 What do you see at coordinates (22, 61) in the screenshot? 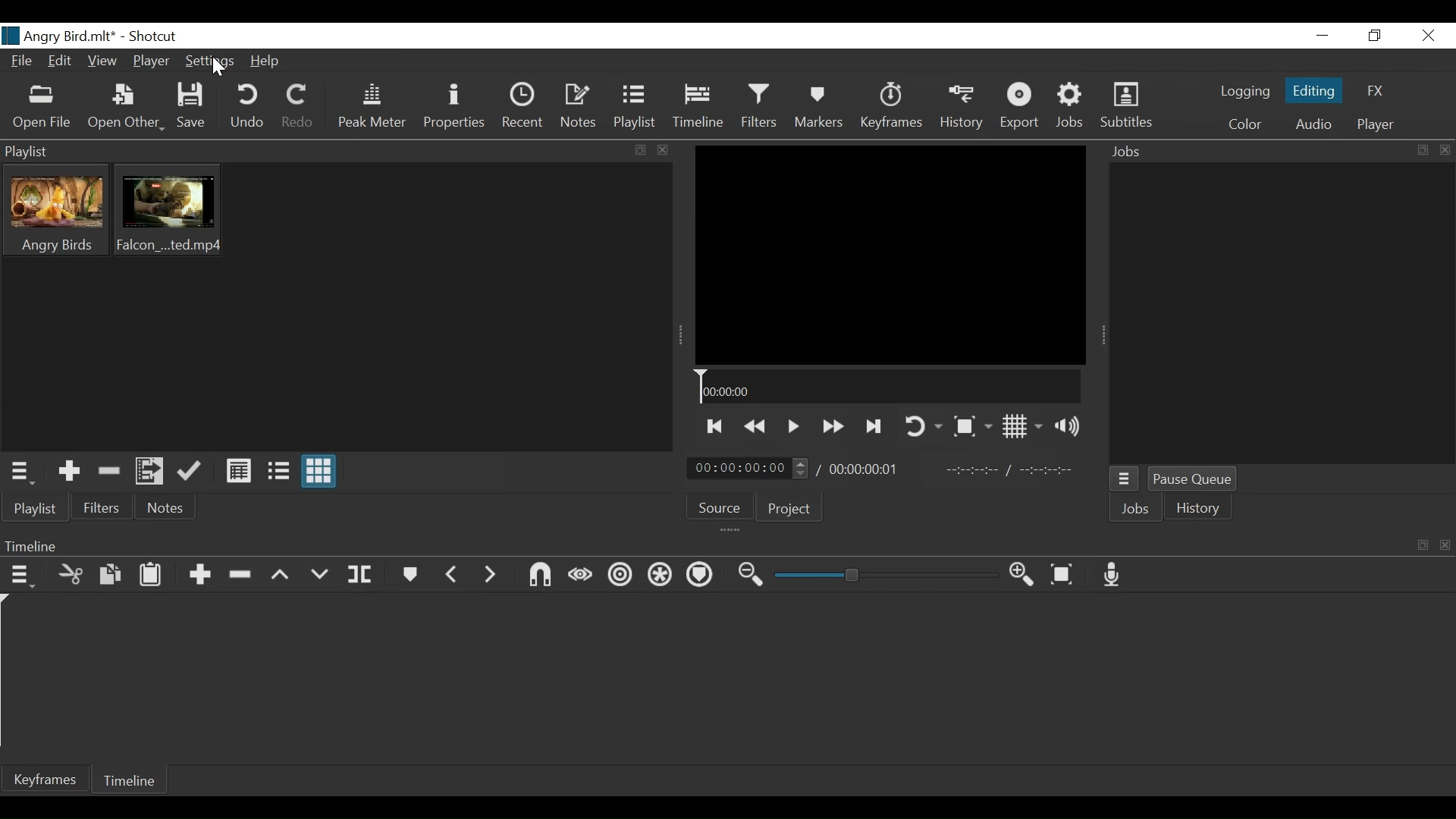
I see `File` at bounding box center [22, 61].